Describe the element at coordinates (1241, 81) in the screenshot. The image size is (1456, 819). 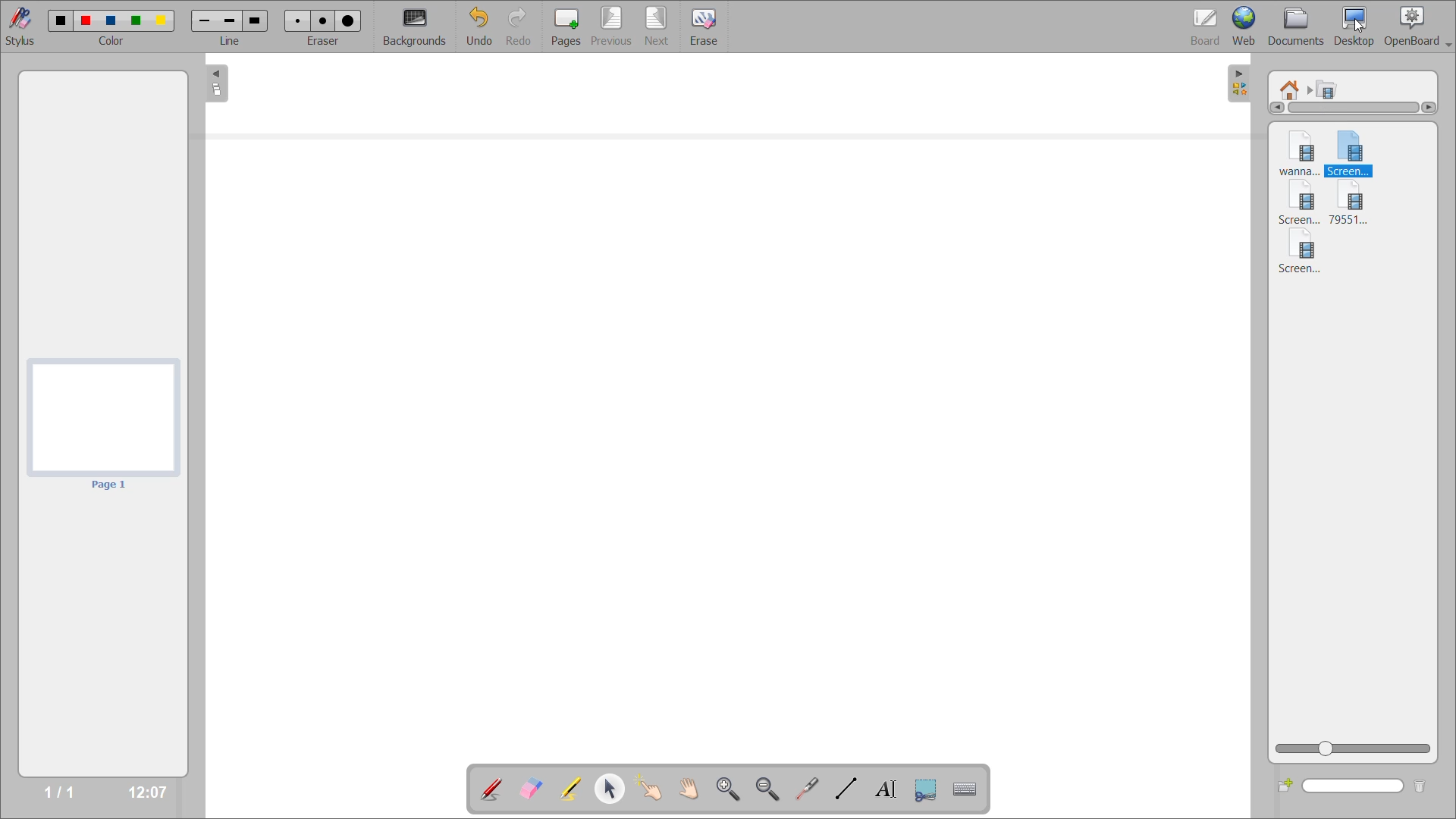
I see `collapse` at that location.